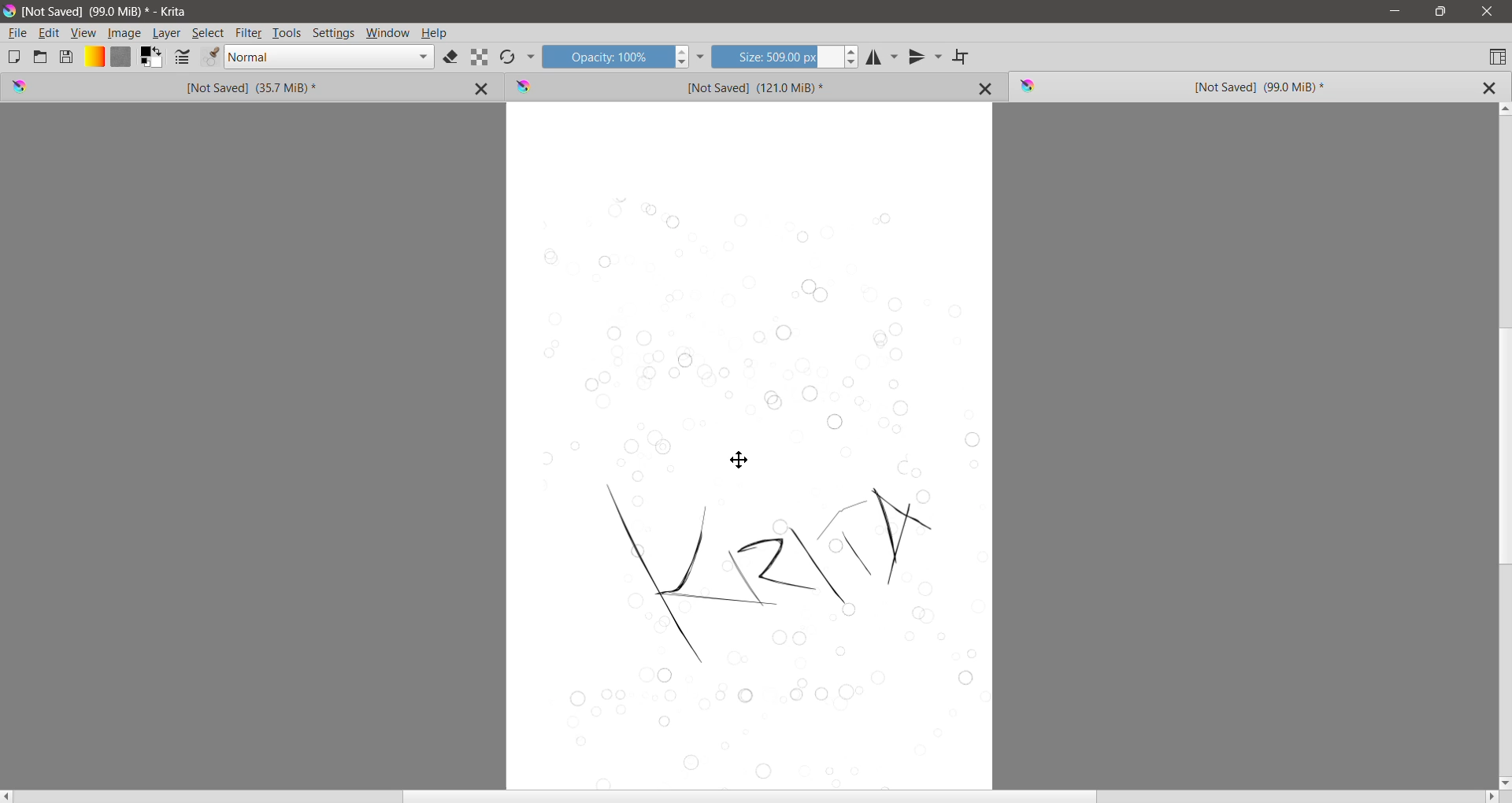  I want to click on Vertical Scroll Bar, so click(1503, 445).